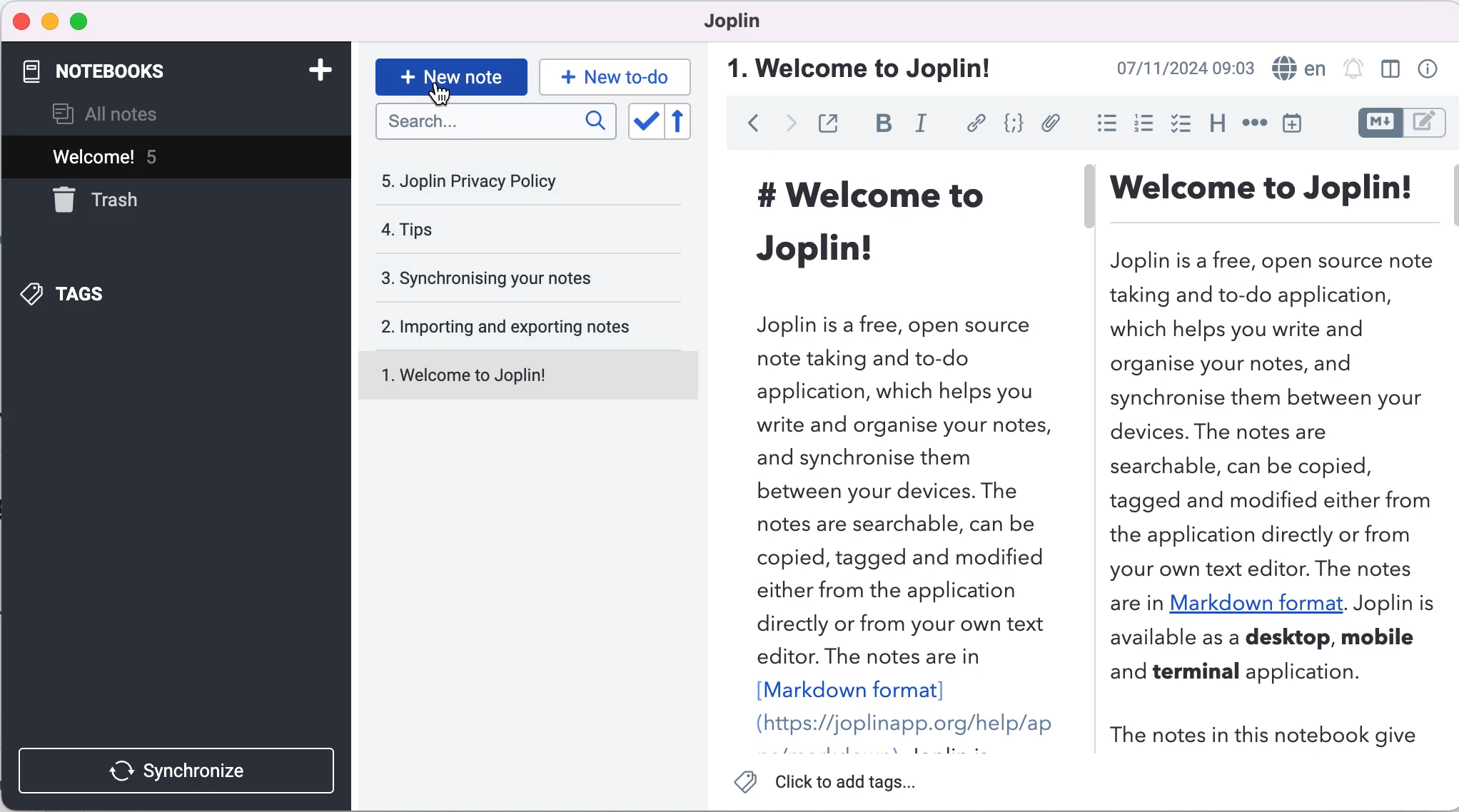 The height and width of the screenshot is (812, 1459). Describe the element at coordinates (127, 113) in the screenshot. I see `all notes` at that location.